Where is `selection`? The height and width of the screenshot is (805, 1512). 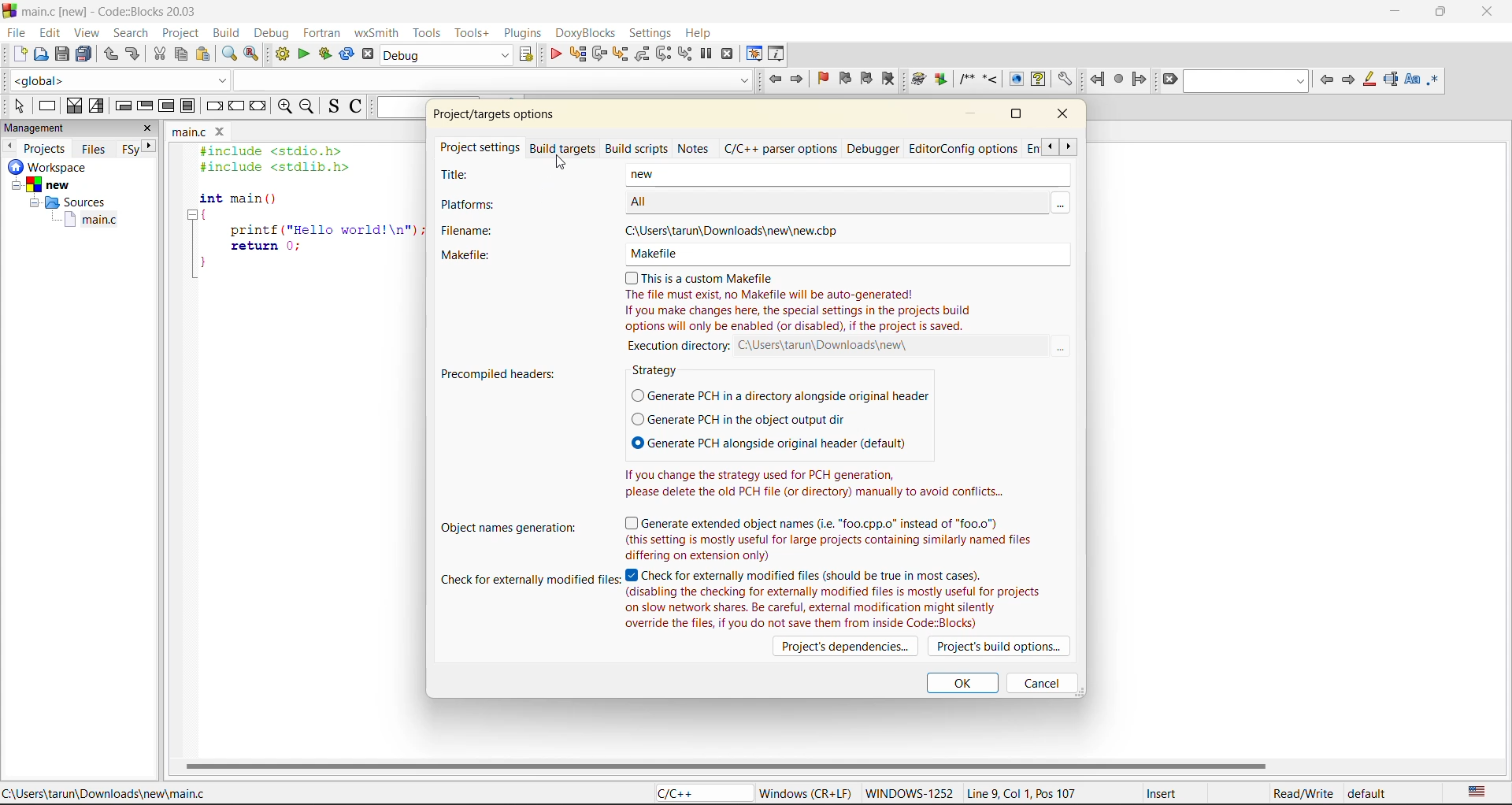
selection is located at coordinates (98, 106).